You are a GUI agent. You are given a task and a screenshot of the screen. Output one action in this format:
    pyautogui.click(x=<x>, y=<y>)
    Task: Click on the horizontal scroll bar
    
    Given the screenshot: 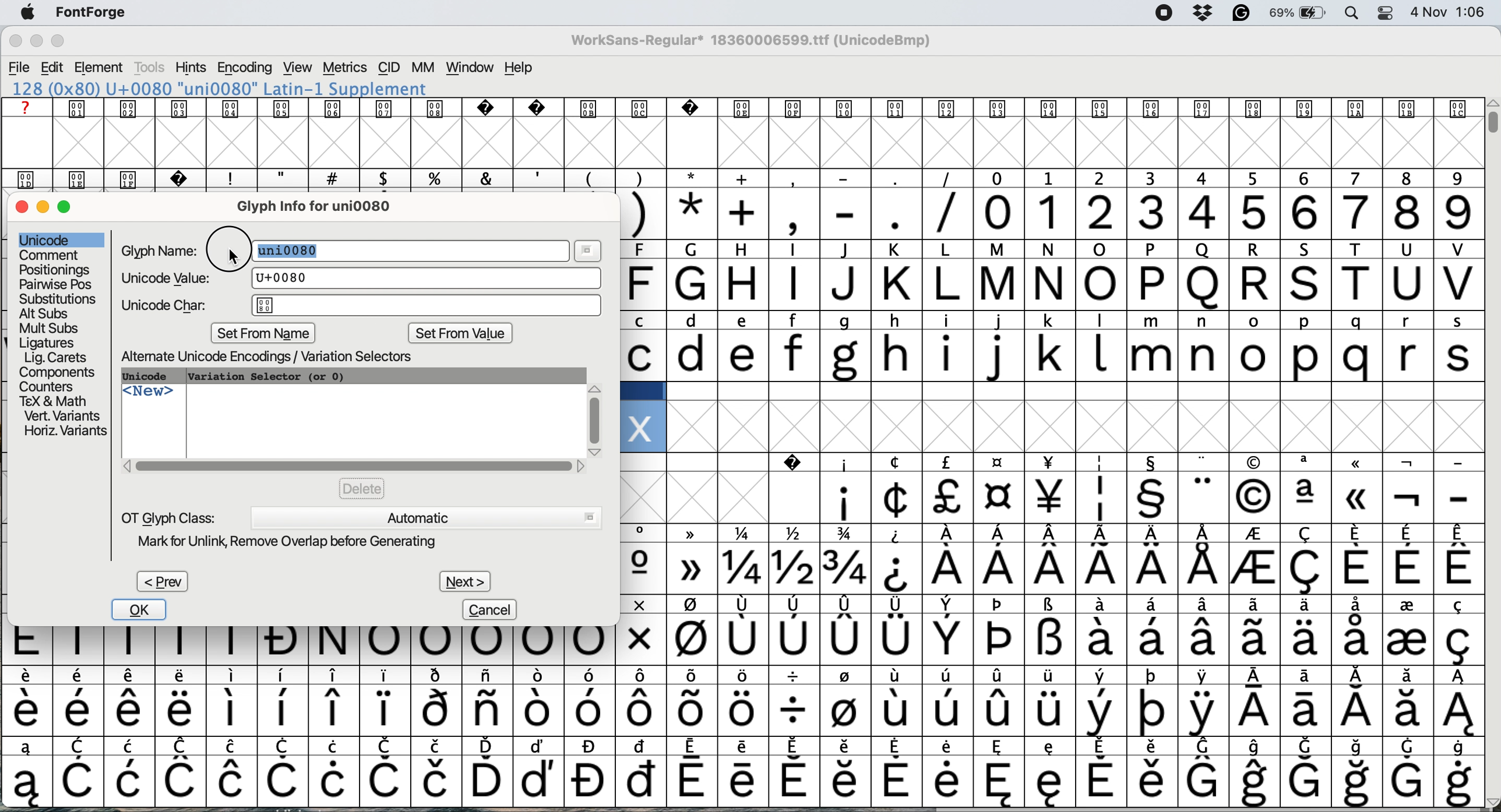 What is the action you would take?
    pyautogui.click(x=354, y=466)
    